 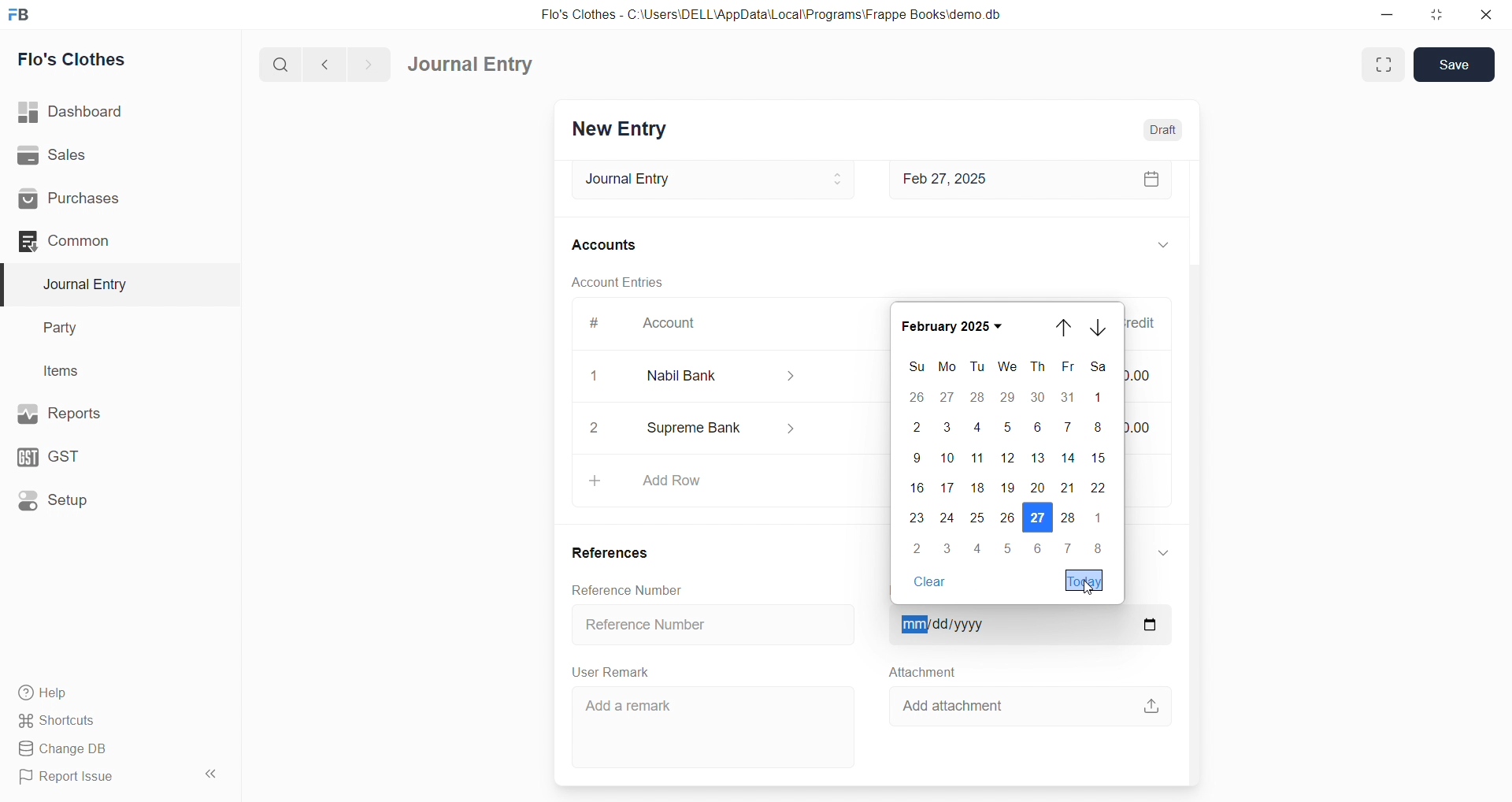 What do you see at coordinates (610, 671) in the screenshot?
I see `User Remark` at bounding box center [610, 671].